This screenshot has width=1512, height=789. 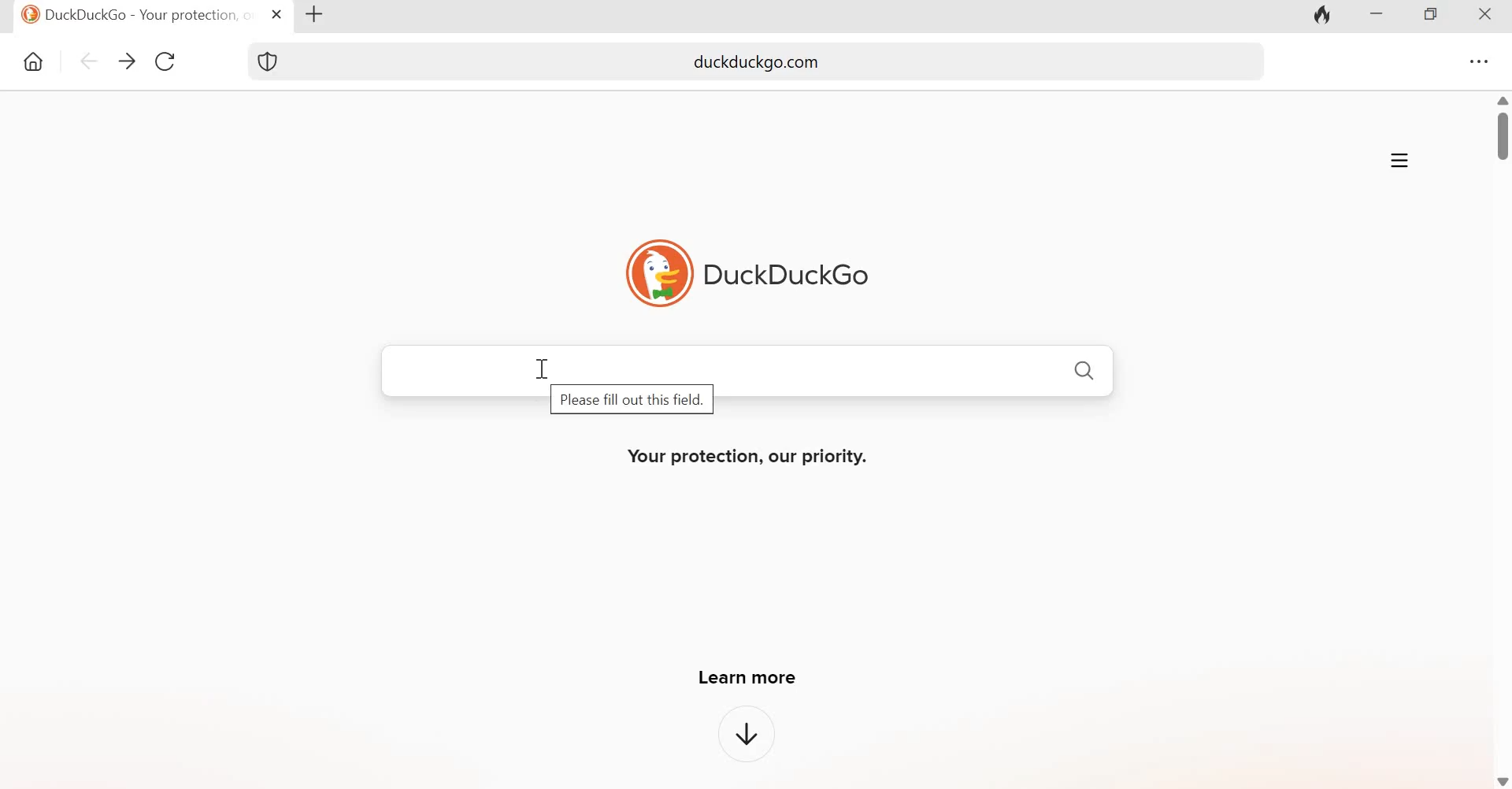 What do you see at coordinates (321, 14) in the screenshot?
I see `New tab` at bounding box center [321, 14].